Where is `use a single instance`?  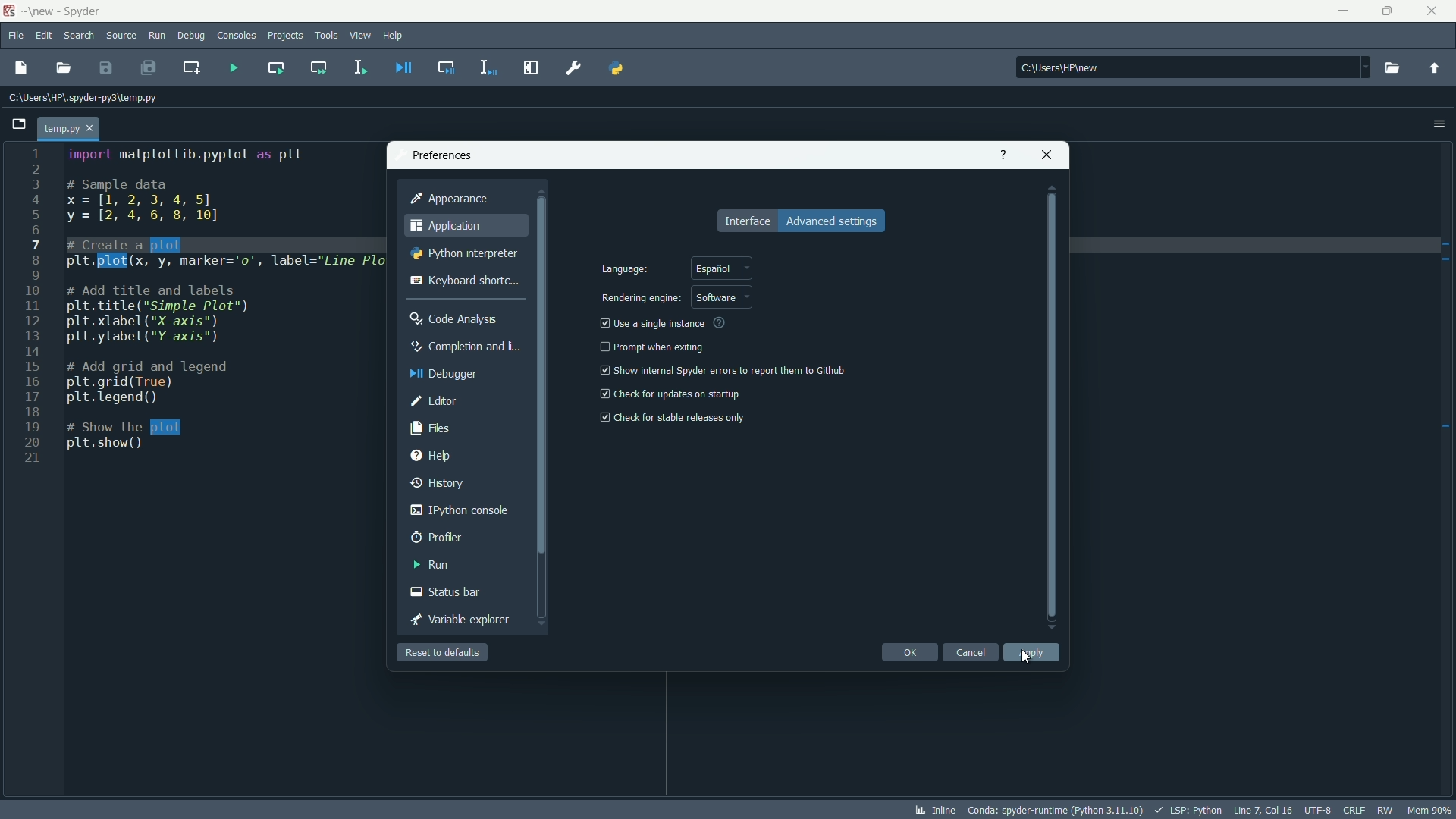 use a single instance is located at coordinates (661, 323).